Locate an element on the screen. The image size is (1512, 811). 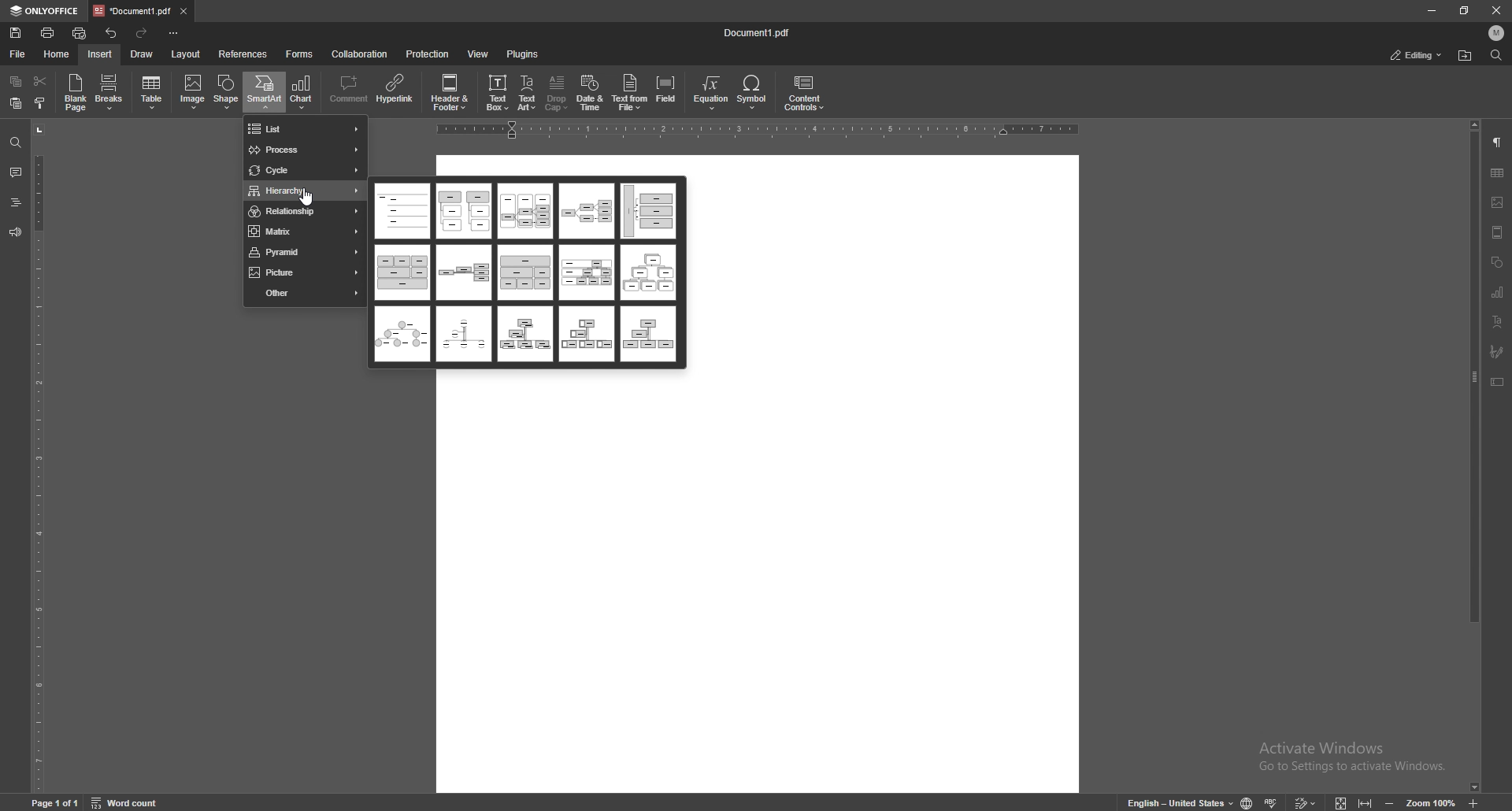
paste is located at coordinates (16, 102).